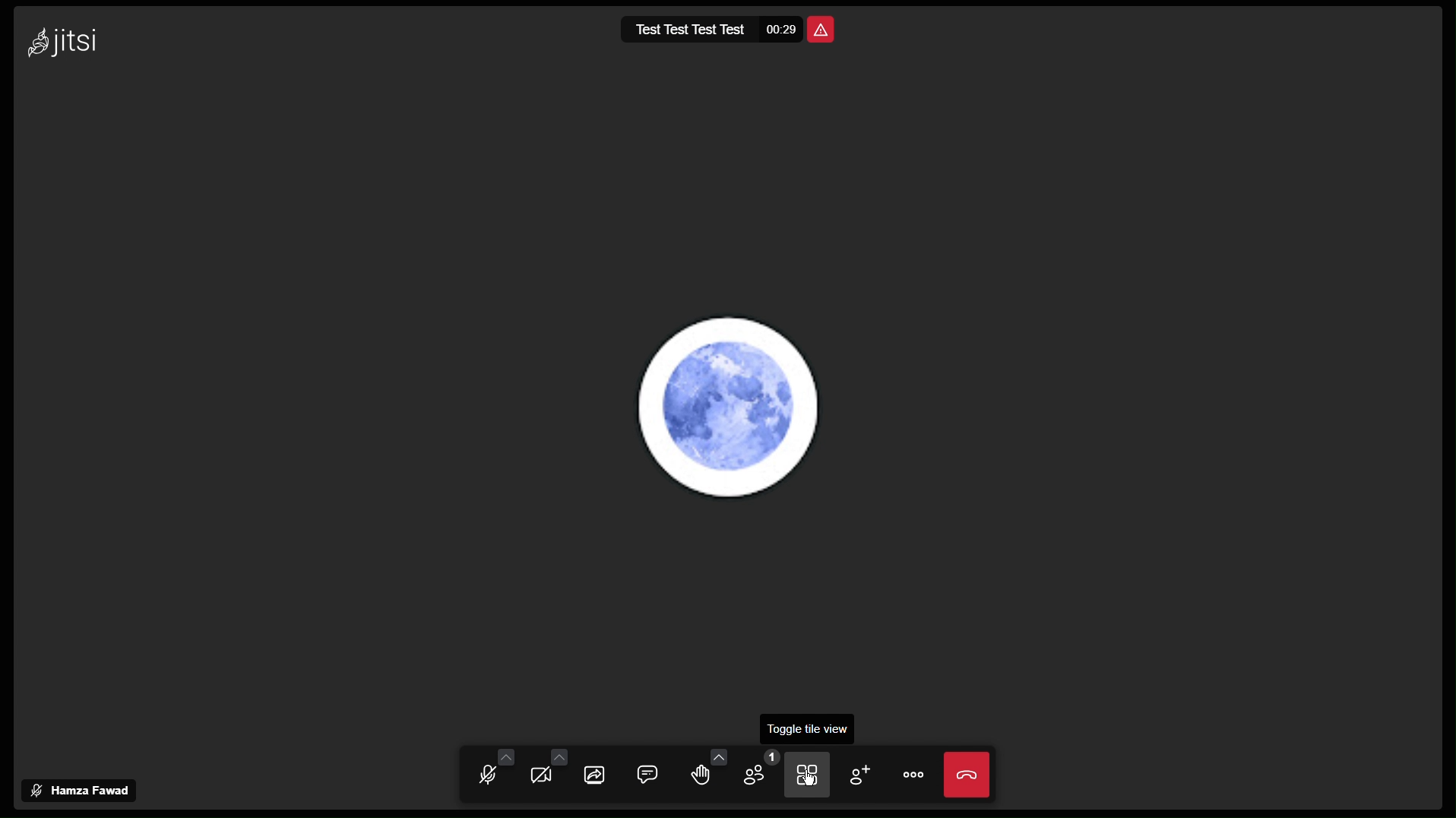 The height and width of the screenshot is (818, 1456). Describe the element at coordinates (597, 775) in the screenshot. I see `Share Screen` at that location.